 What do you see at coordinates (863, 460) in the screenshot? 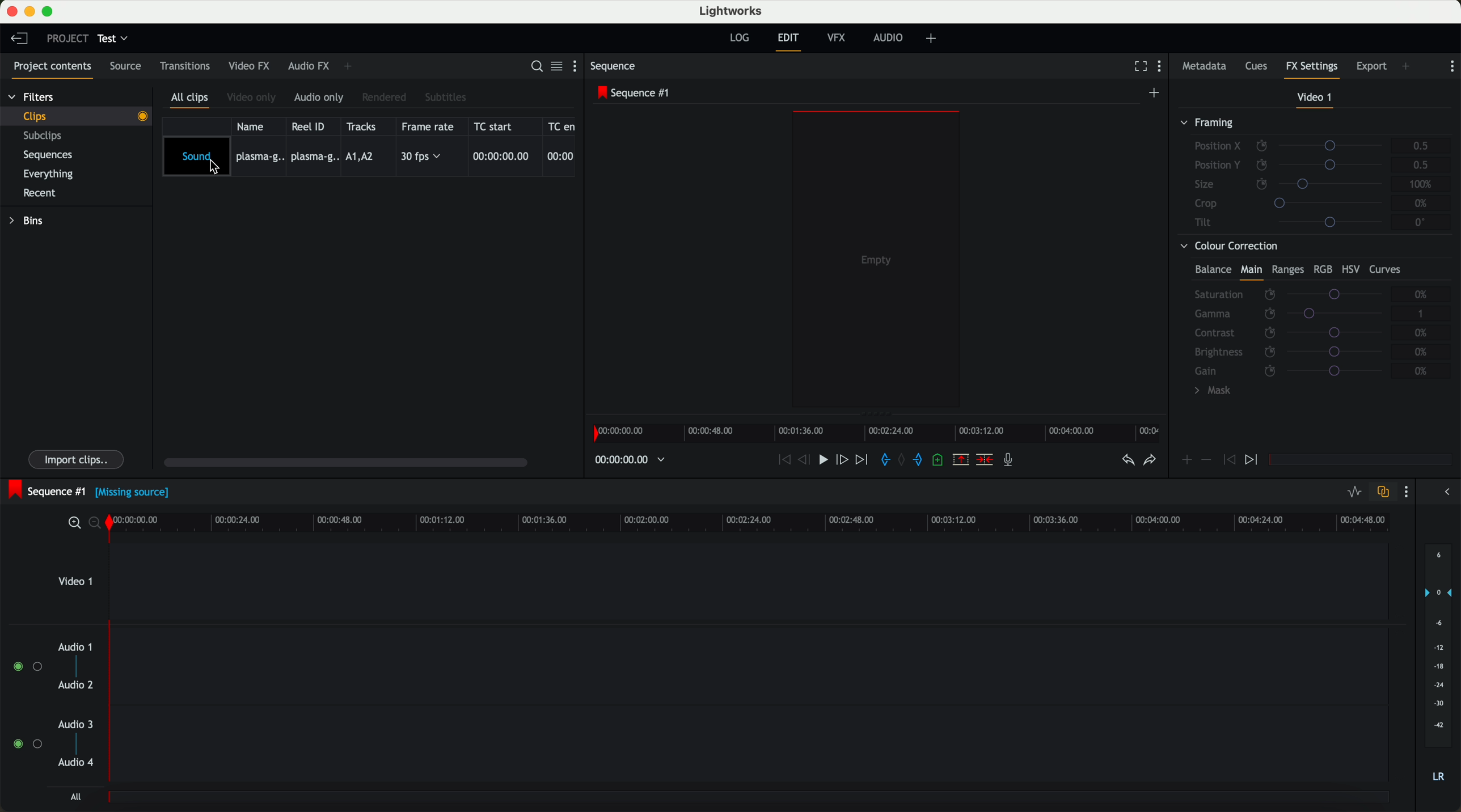
I see `move foward` at bounding box center [863, 460].